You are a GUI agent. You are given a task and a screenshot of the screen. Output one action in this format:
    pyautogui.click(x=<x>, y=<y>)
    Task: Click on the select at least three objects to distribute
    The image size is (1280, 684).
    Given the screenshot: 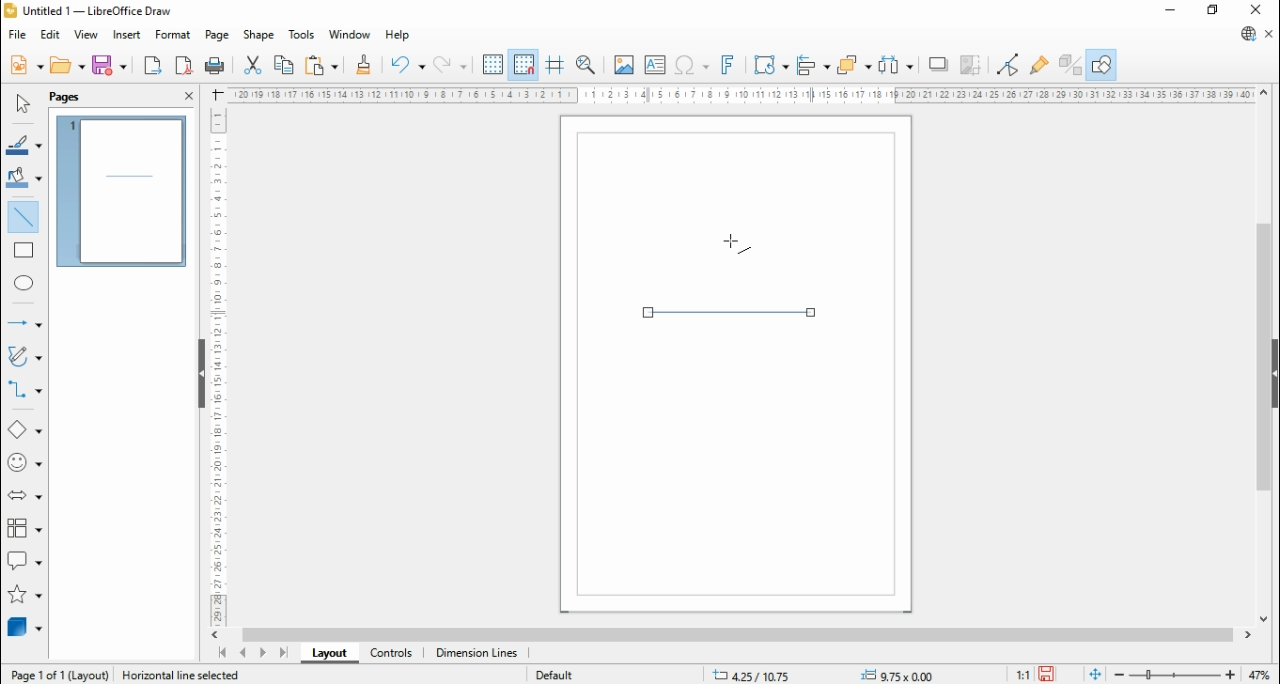 What is the action you would take?
    pyautogui.click(x=897, y=65)
    